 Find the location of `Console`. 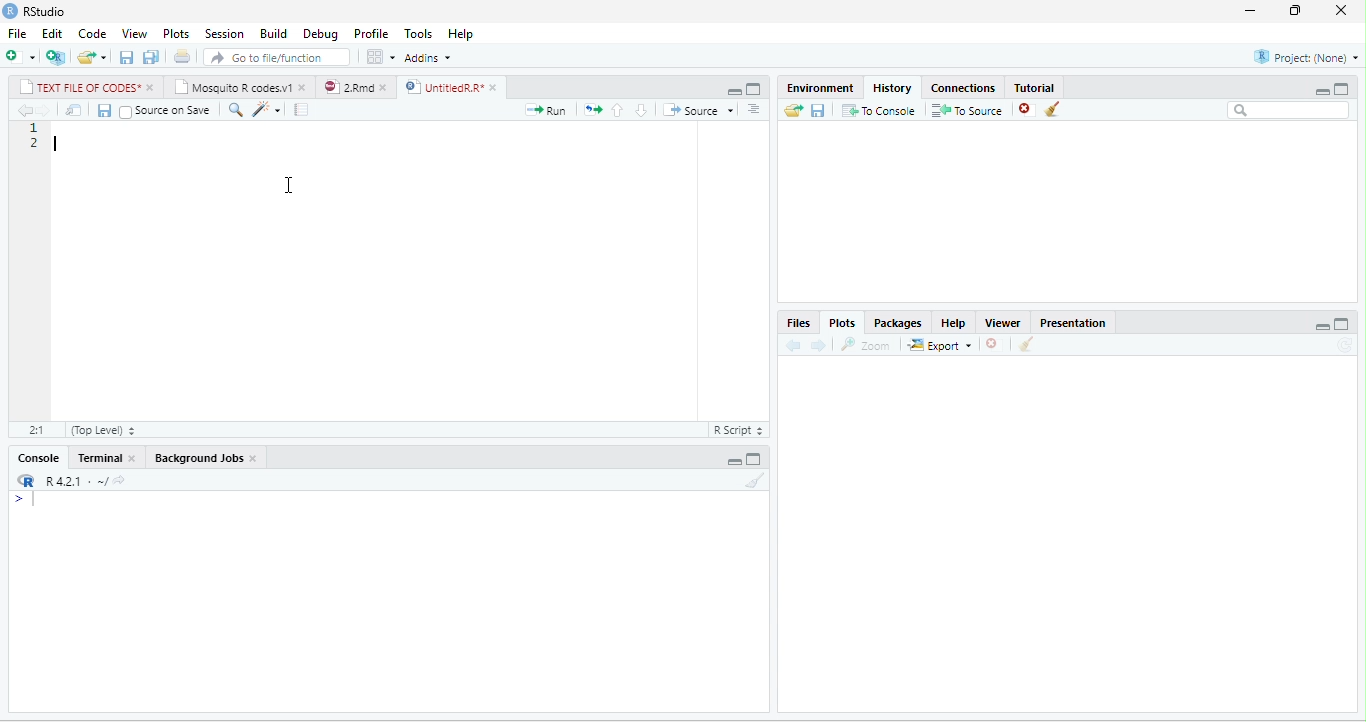

Console is located at coordinates (37, 458).